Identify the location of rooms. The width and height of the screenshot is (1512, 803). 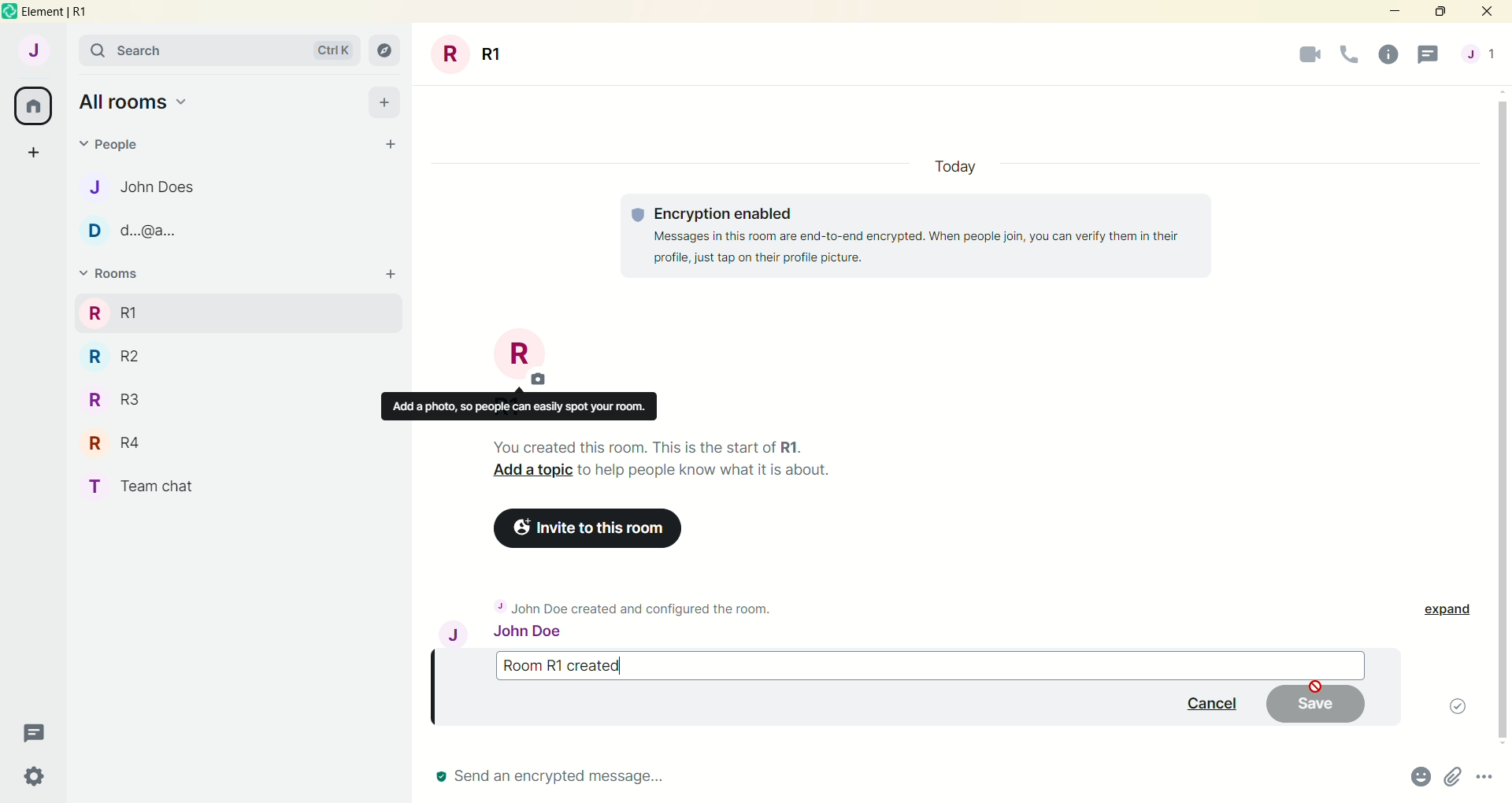
(112, 312).